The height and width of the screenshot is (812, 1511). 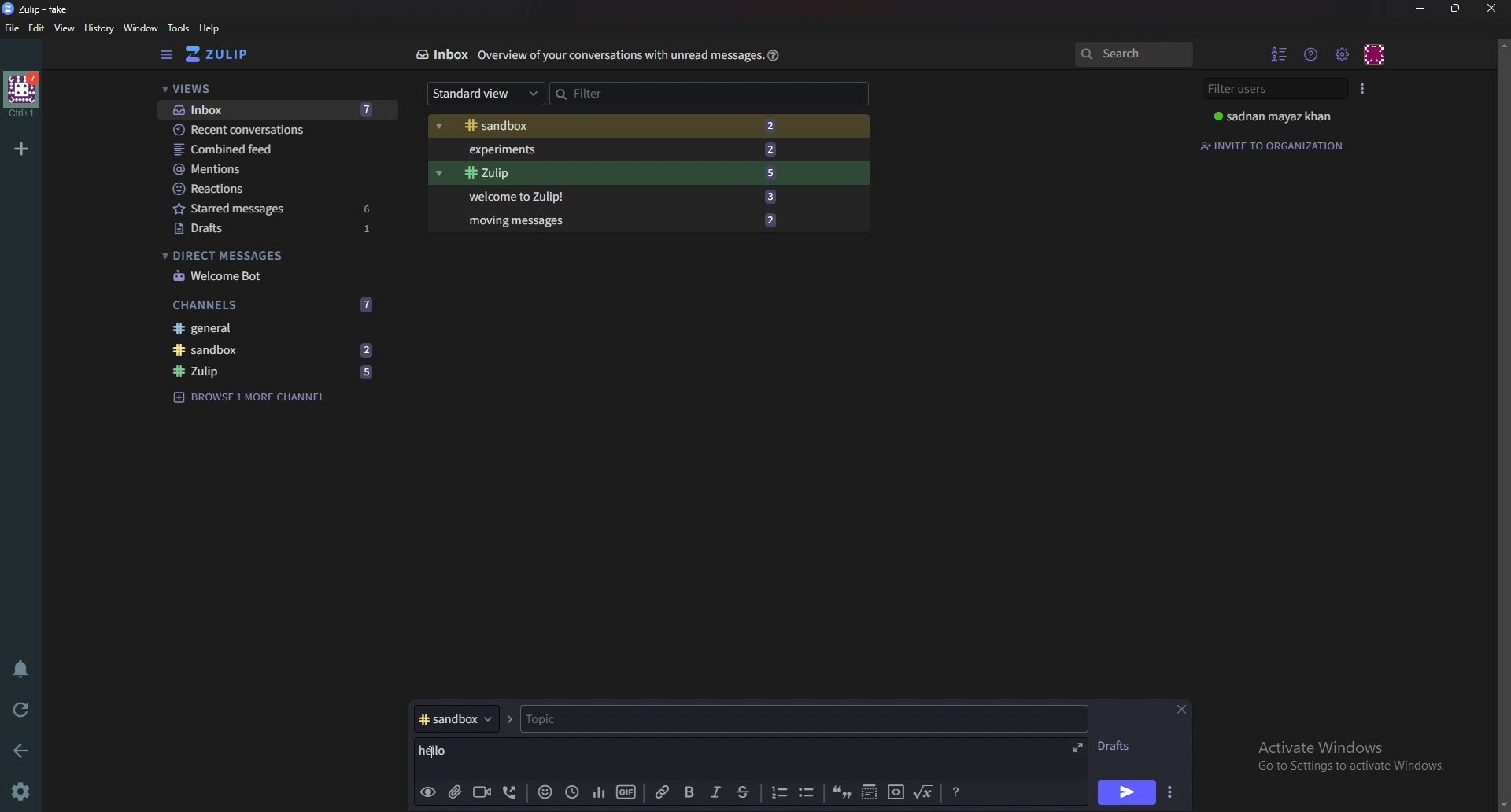 What do you see at coordinates (485, 92) in the screenshot?
I see `Standard view` at bounding box center [485, 92].